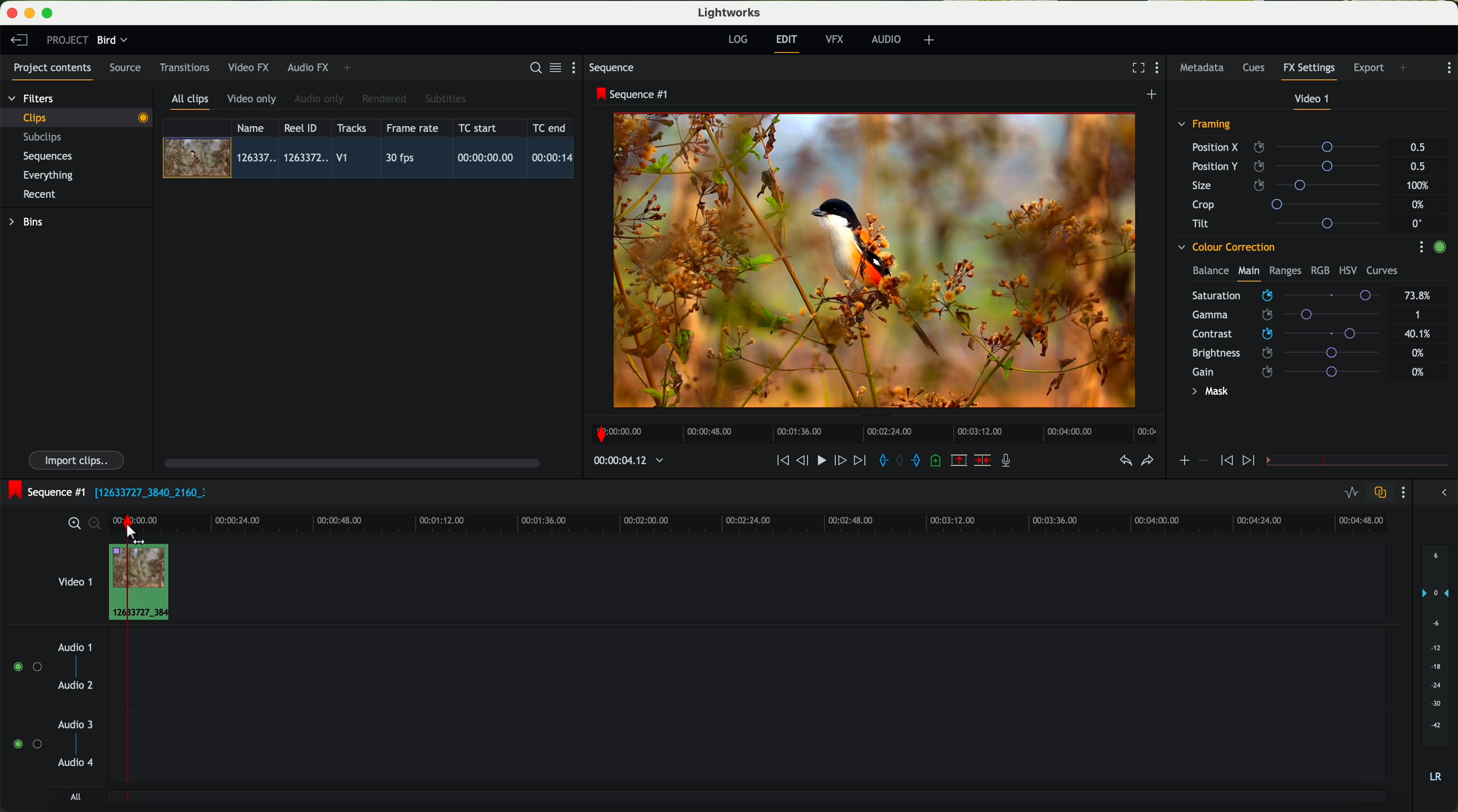  I want to click on 40.1%, so click(1421, 334).